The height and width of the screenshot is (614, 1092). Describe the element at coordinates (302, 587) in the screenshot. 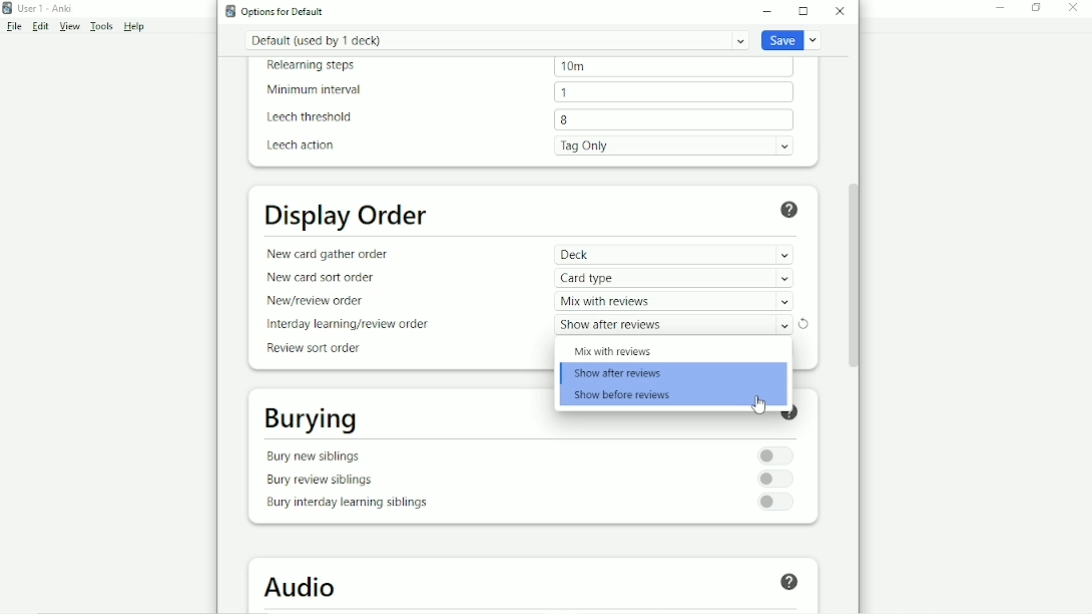

I see `Audio` at that location.